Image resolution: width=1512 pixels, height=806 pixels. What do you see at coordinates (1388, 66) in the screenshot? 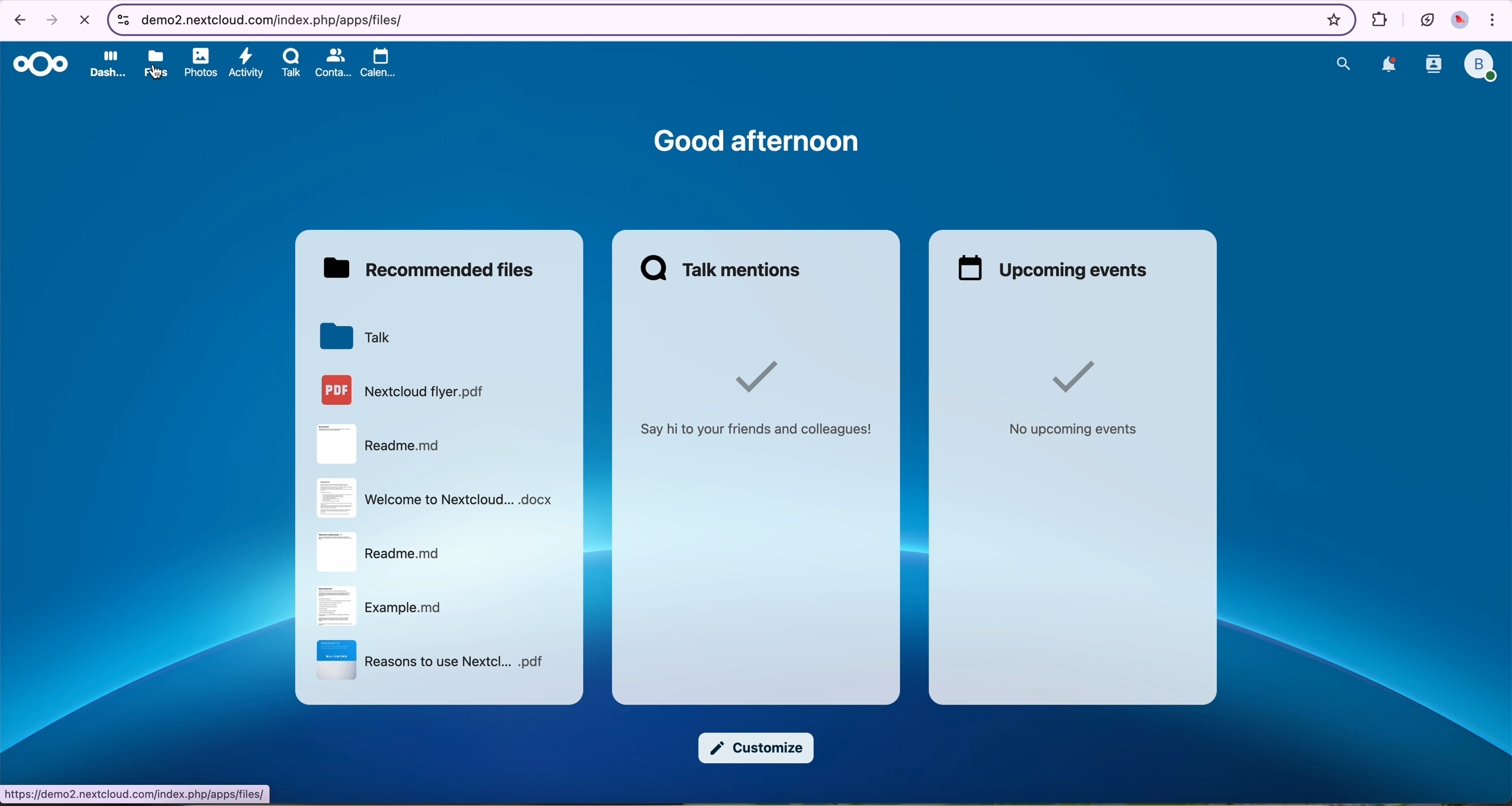
I see `notifications` at bounding box center [1388, 66].